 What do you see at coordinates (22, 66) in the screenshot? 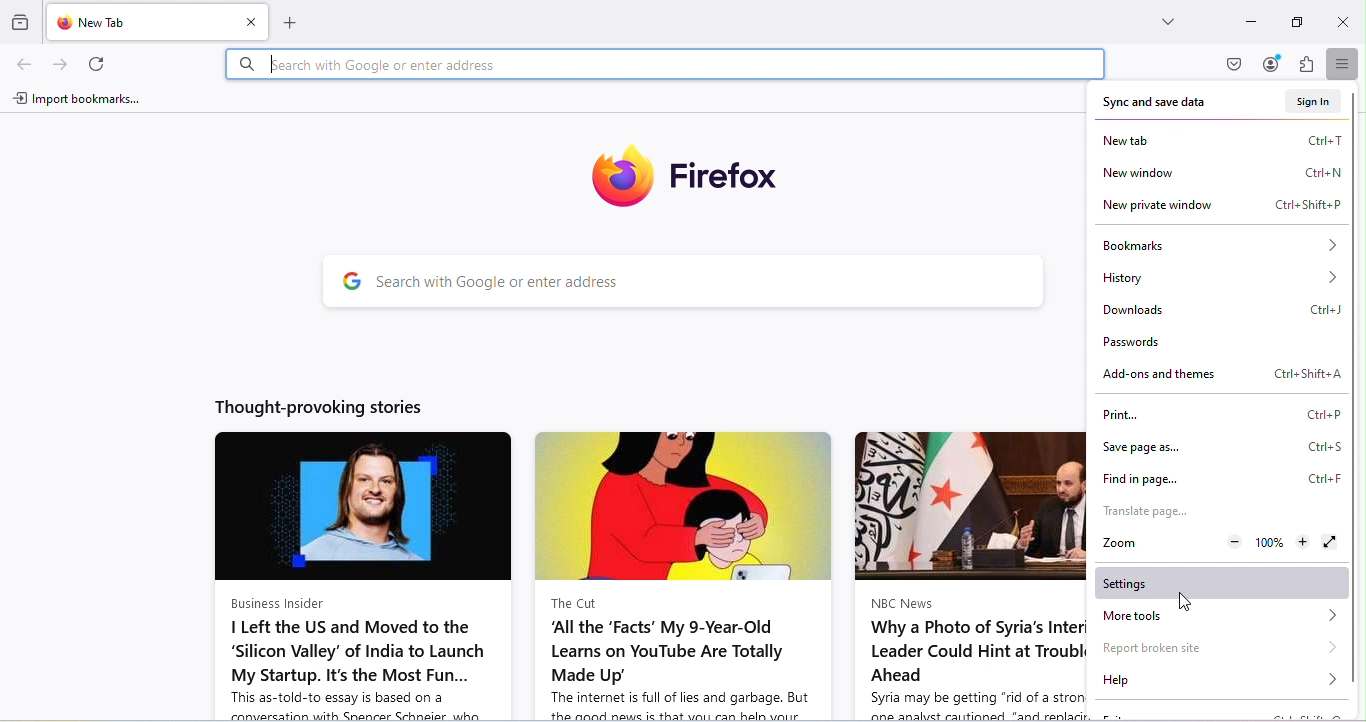
I see `Go back one page` at bounding box center [22, 66].